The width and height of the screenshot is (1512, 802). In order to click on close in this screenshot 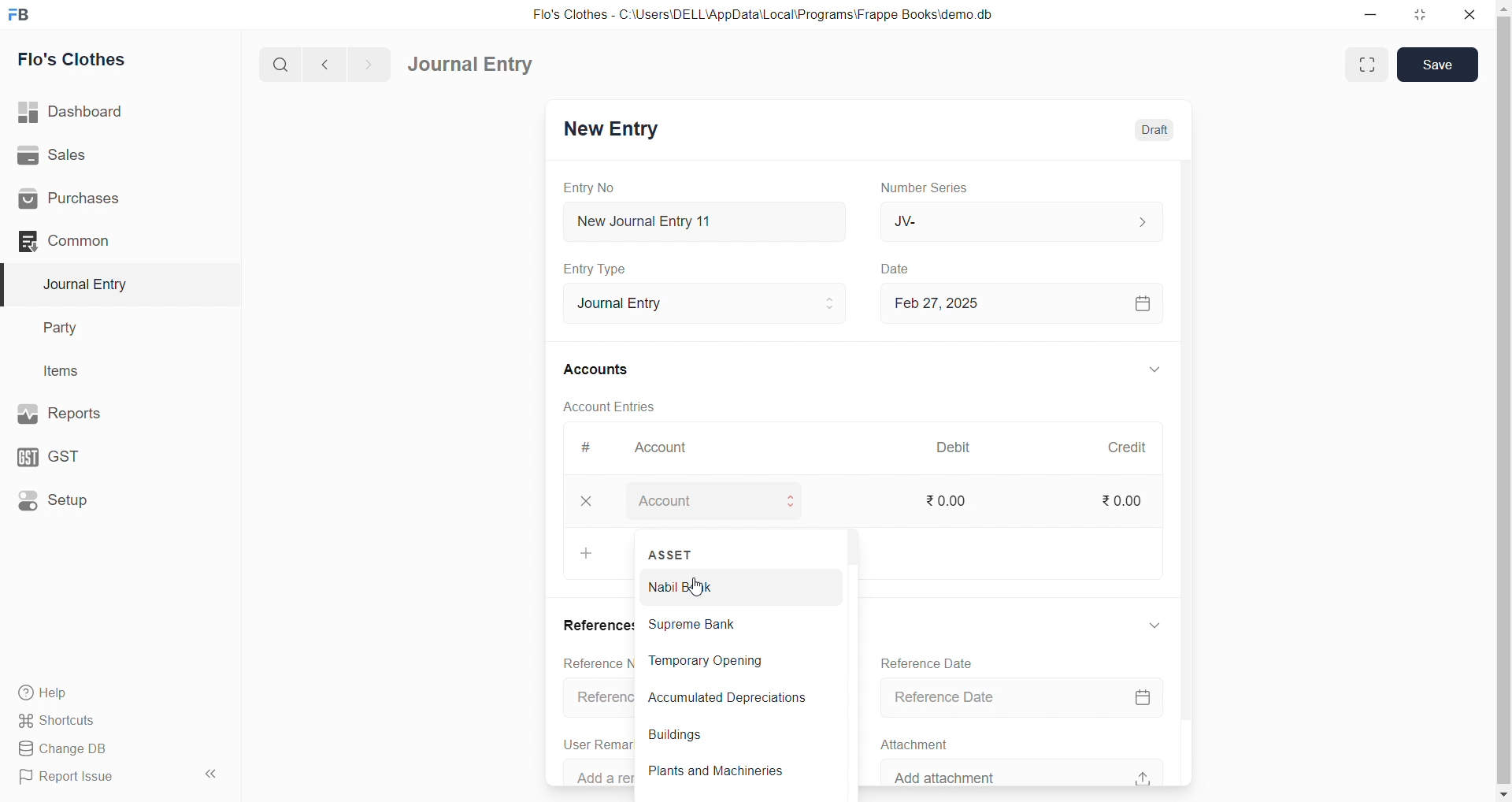, I will do `click(594, 501)`.